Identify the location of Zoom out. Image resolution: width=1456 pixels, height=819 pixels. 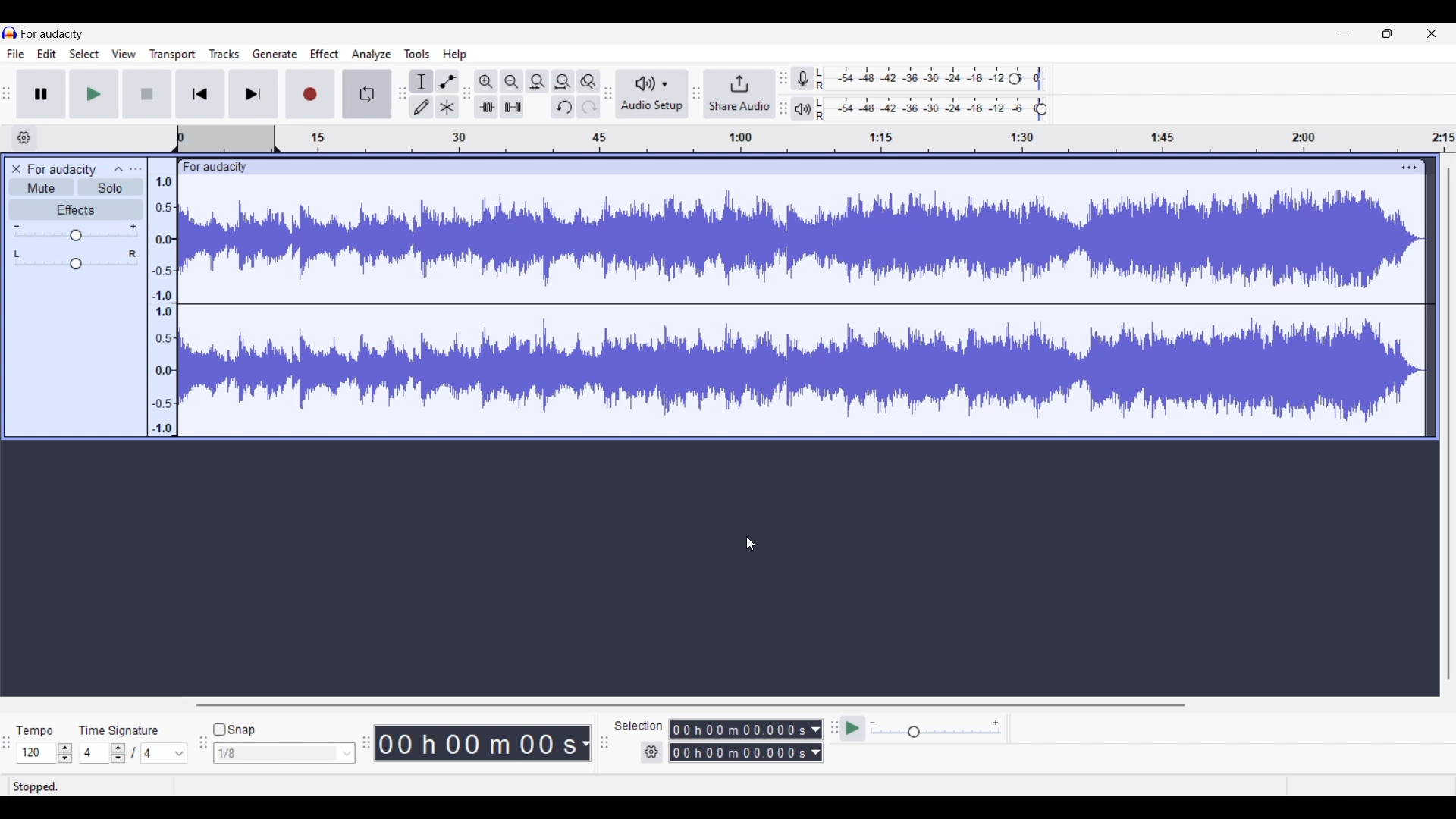
(512, 81).